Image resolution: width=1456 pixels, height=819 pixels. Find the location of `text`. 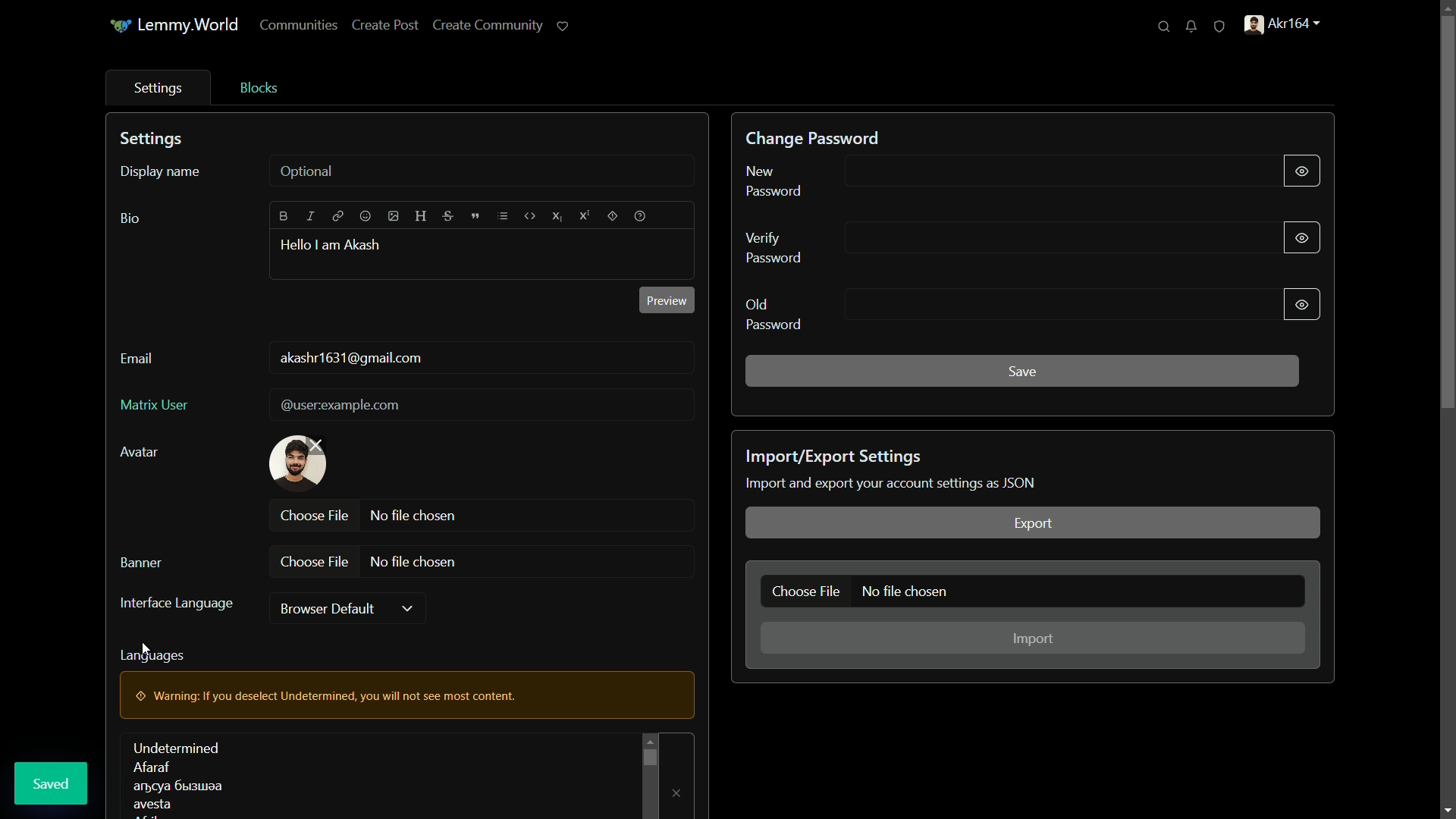

text is located at coordinates (896, 482).